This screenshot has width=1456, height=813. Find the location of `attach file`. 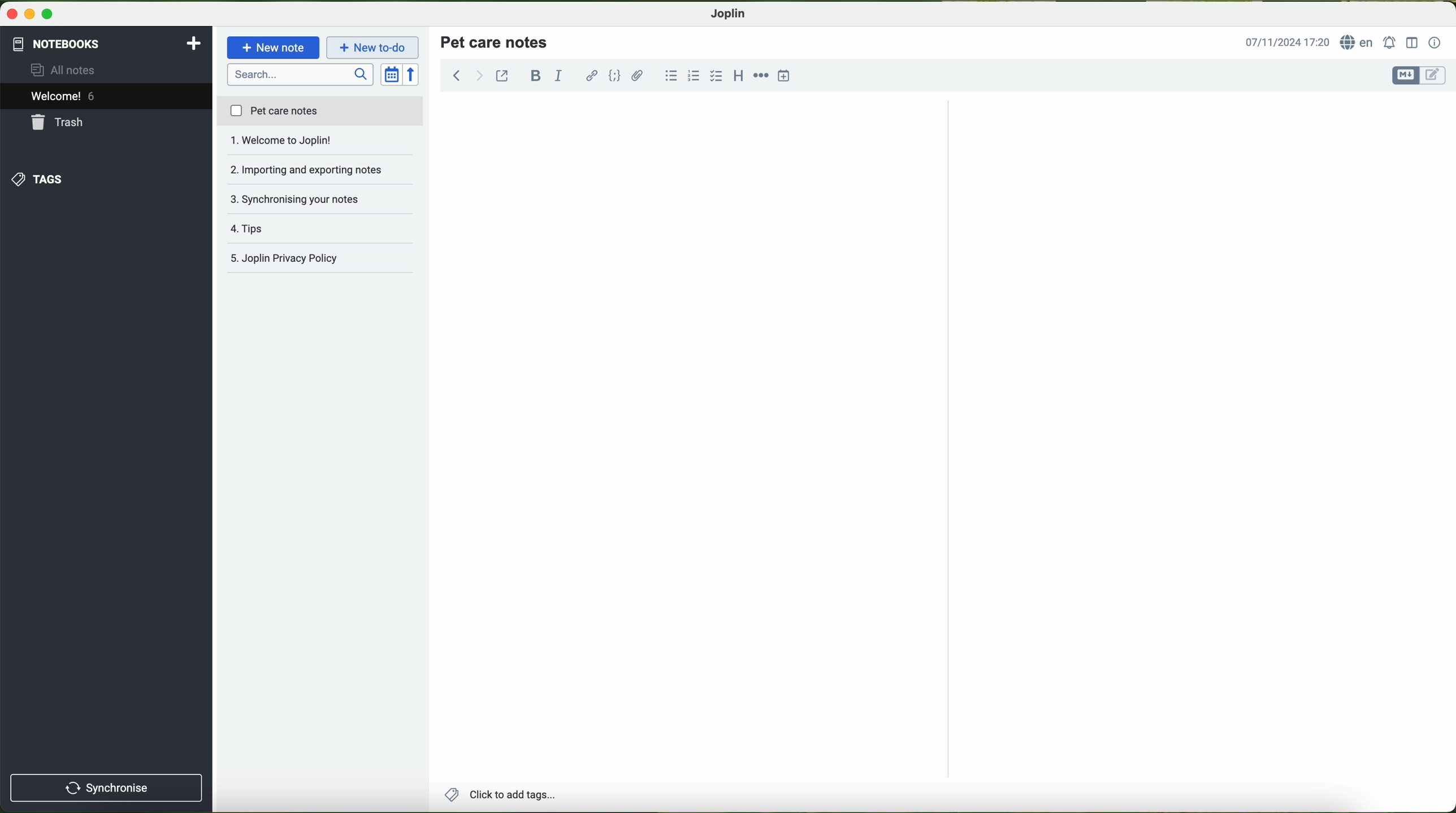

attach file is located at coordinates (638, 75).